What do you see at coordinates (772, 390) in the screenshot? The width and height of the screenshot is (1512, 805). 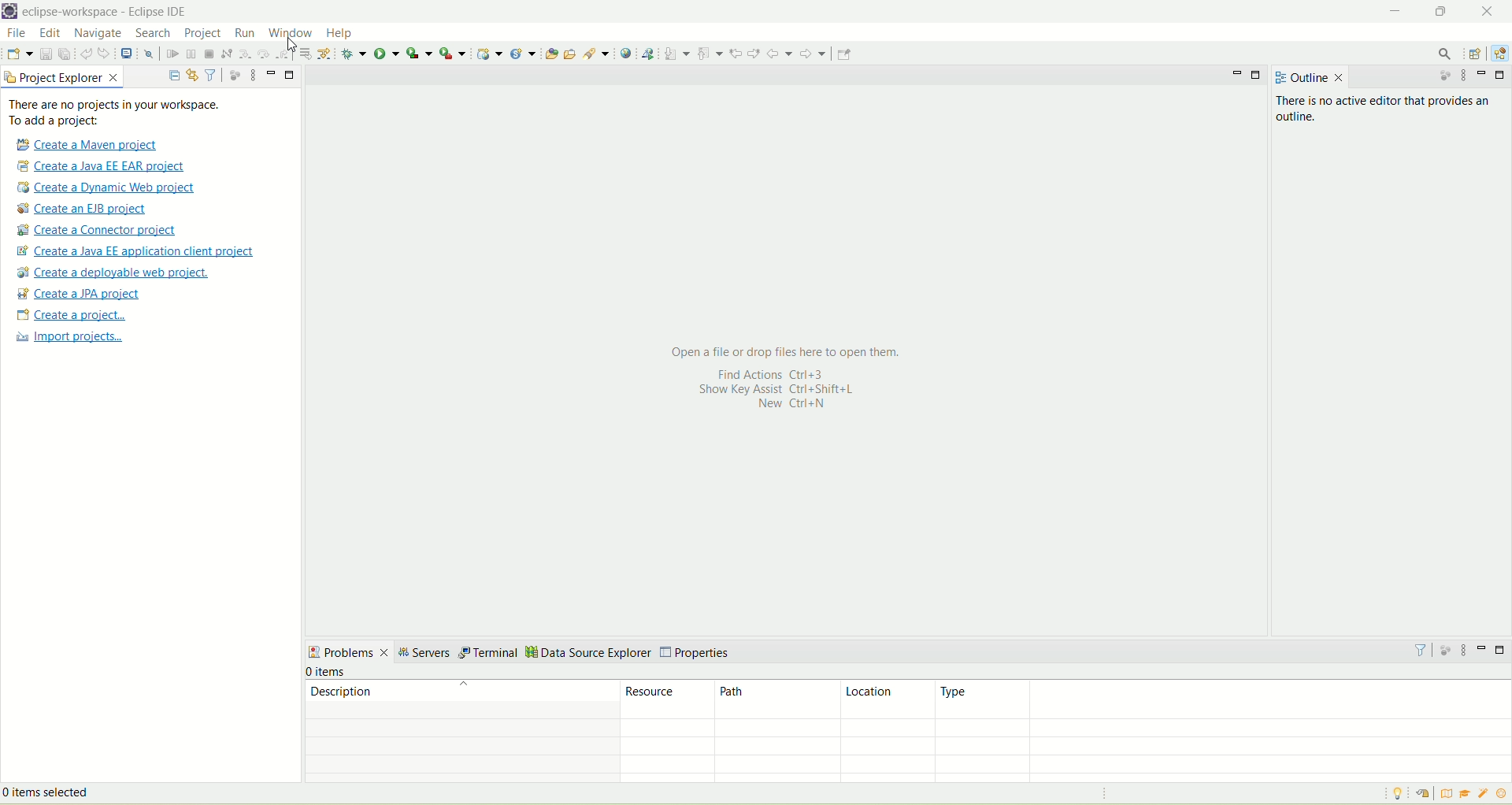 I see `Show Key assist Ctrl+Shift+L` at bounding box center [772, 390].